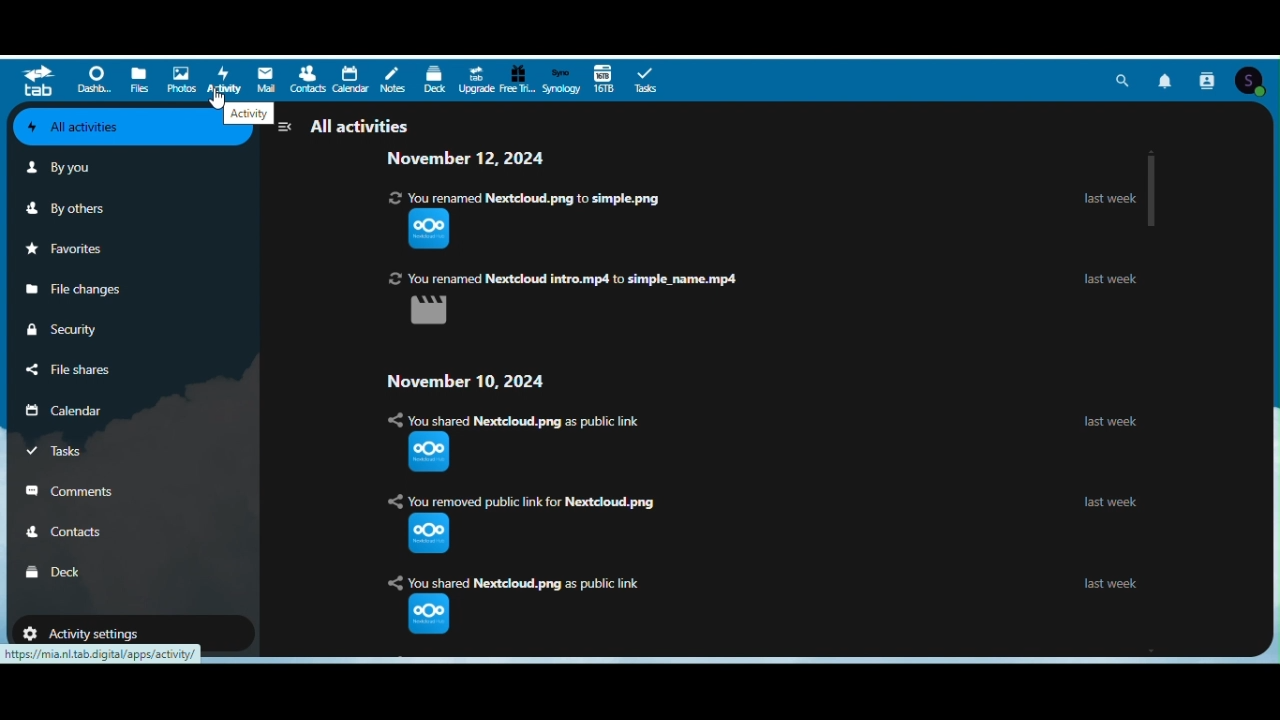  What do you see at coordinates (309, 79) in the screenshot?
I see `Contacts` at bounding box center [309, 79].